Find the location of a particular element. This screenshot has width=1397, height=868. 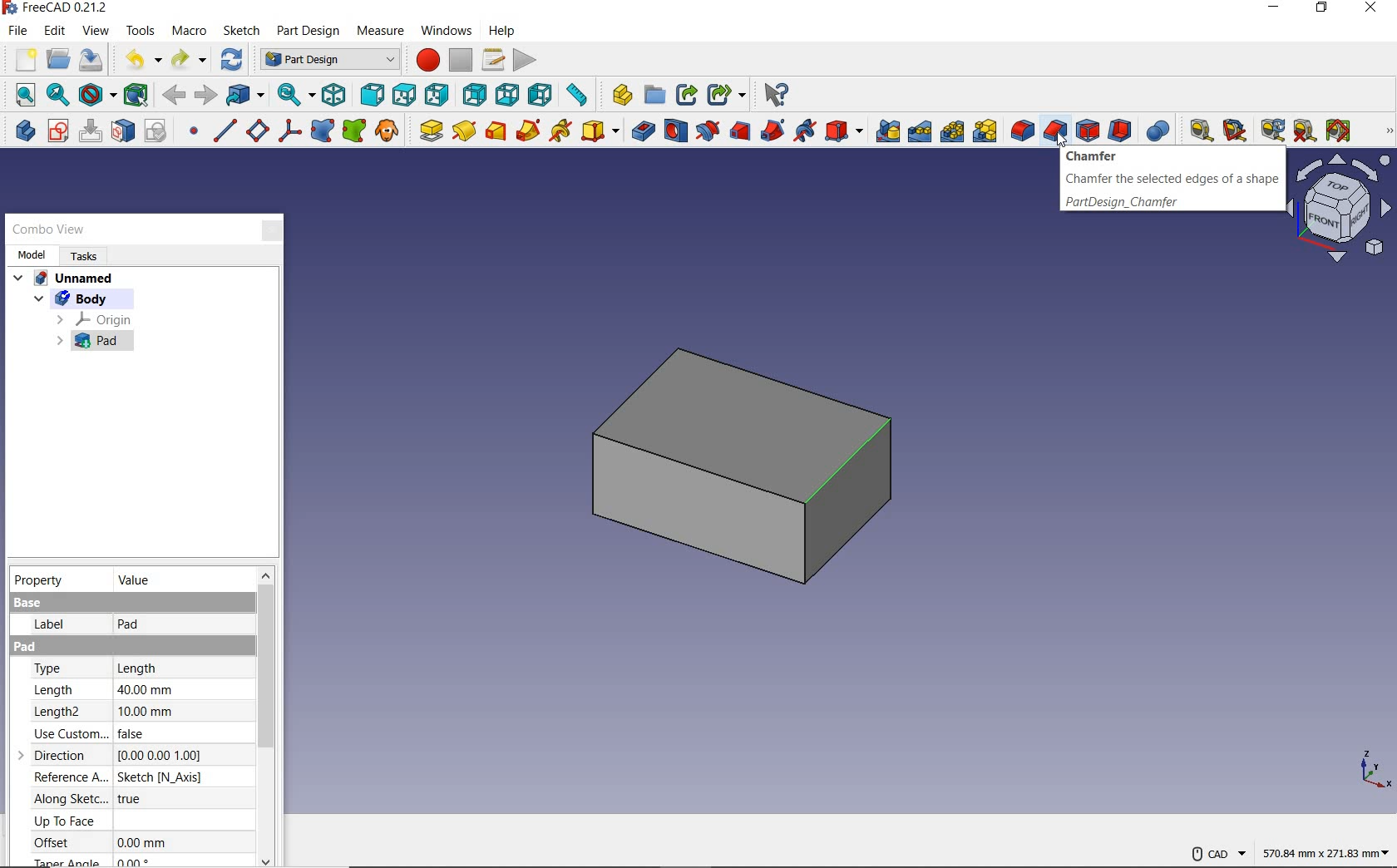

windows is located at coordinates (446, 32).